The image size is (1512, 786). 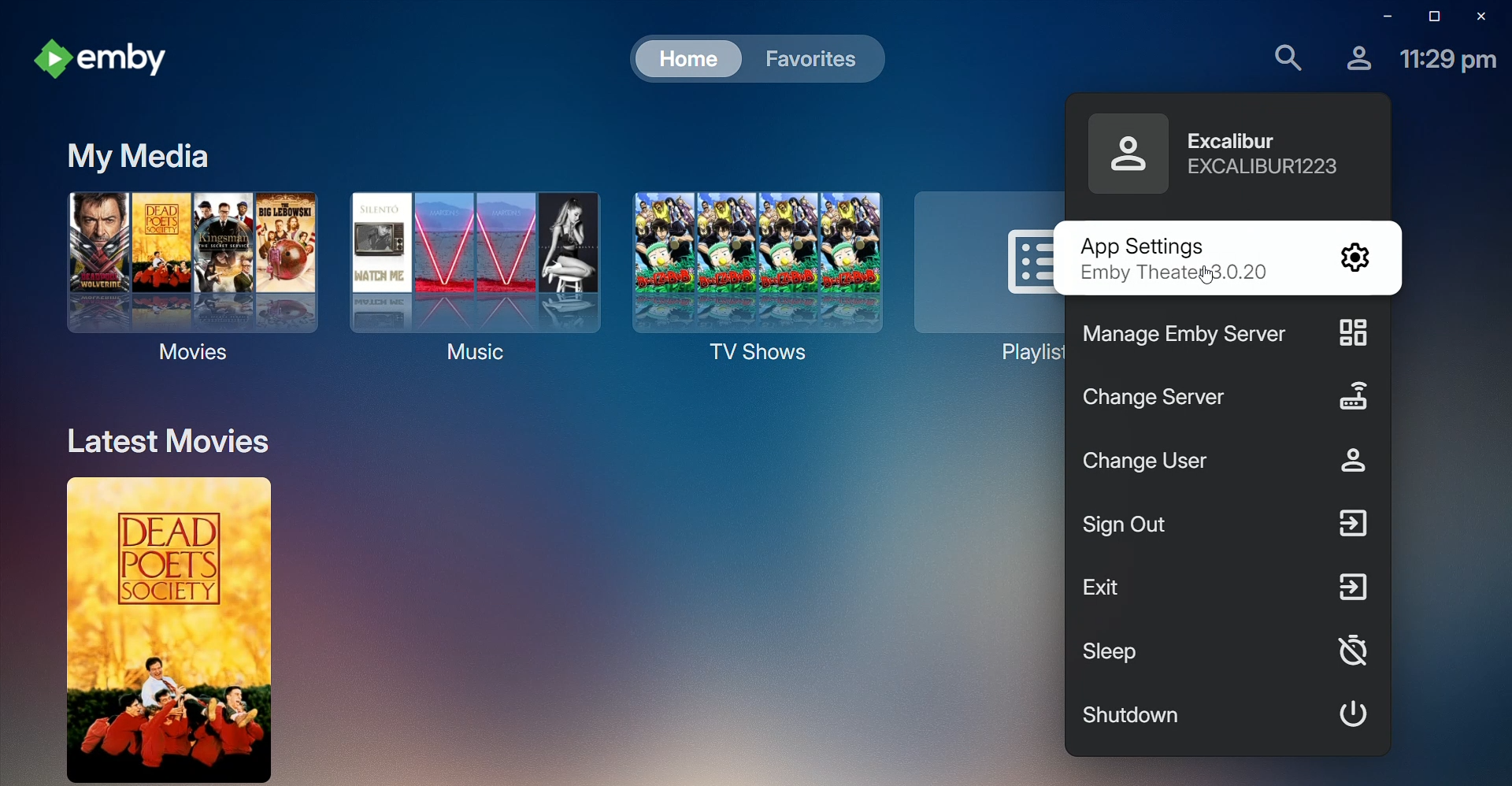 I want to click on Minimize, so click(x=1380, y=15).